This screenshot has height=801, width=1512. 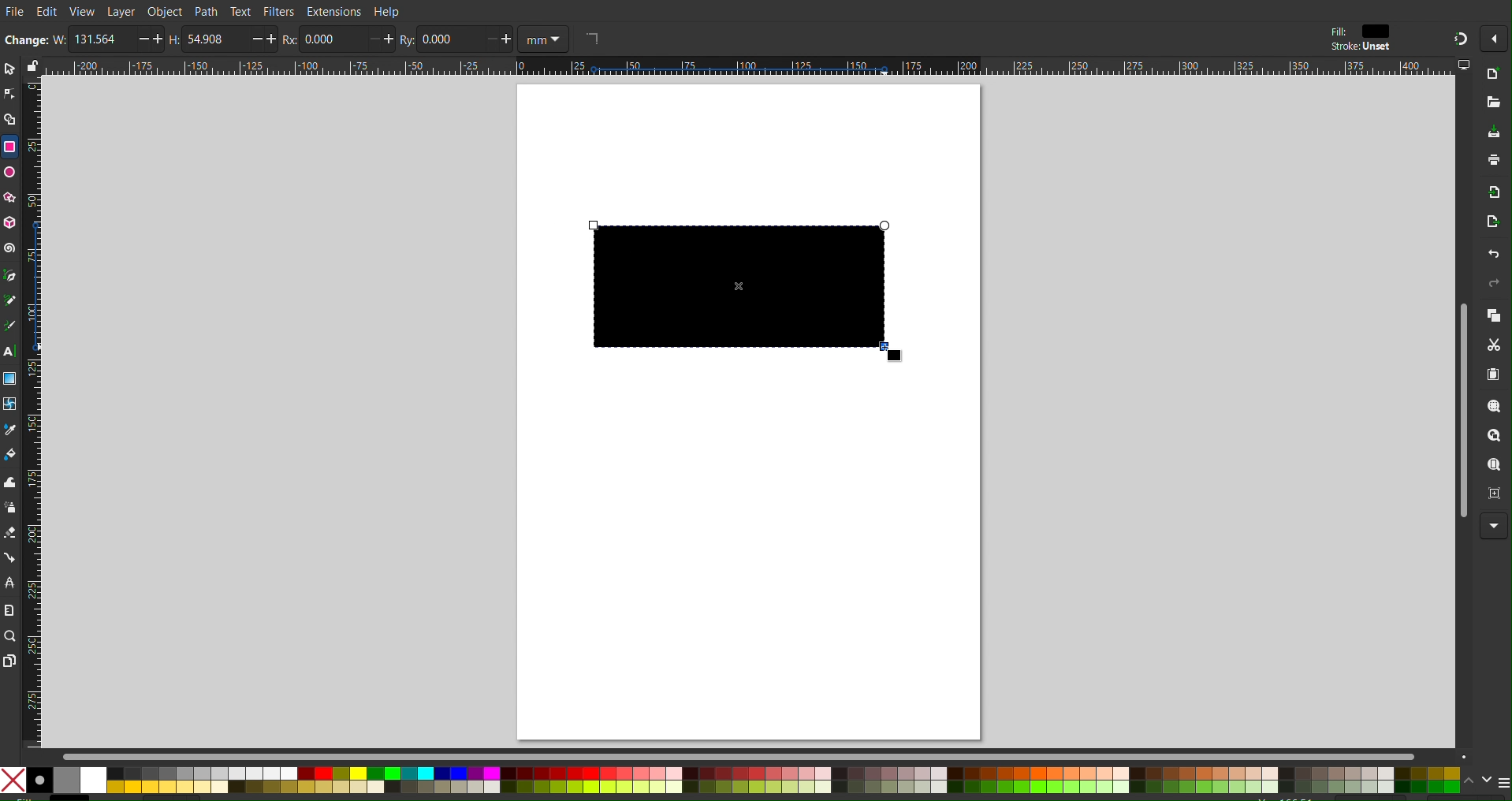 I want to click on increase/decrease, so click(x=150, y=39).